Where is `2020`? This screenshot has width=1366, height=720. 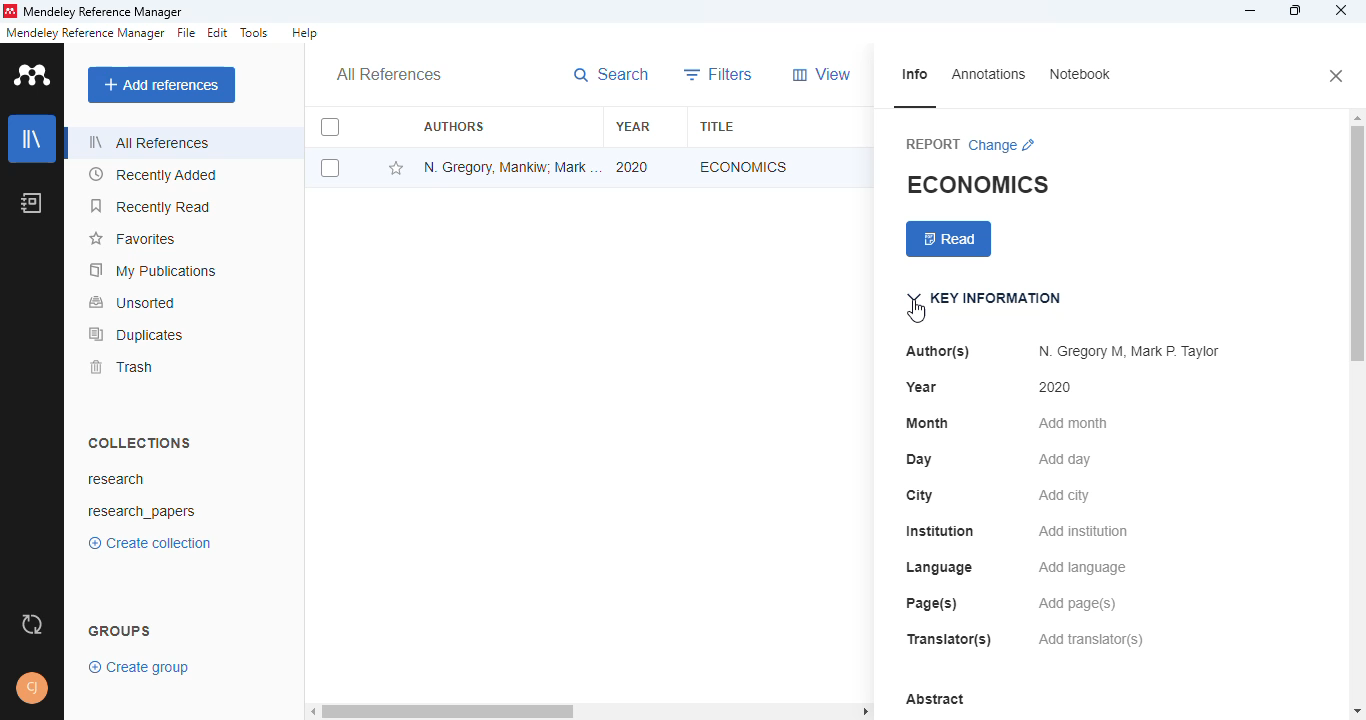 2020 is located at coordinates (633, 166).